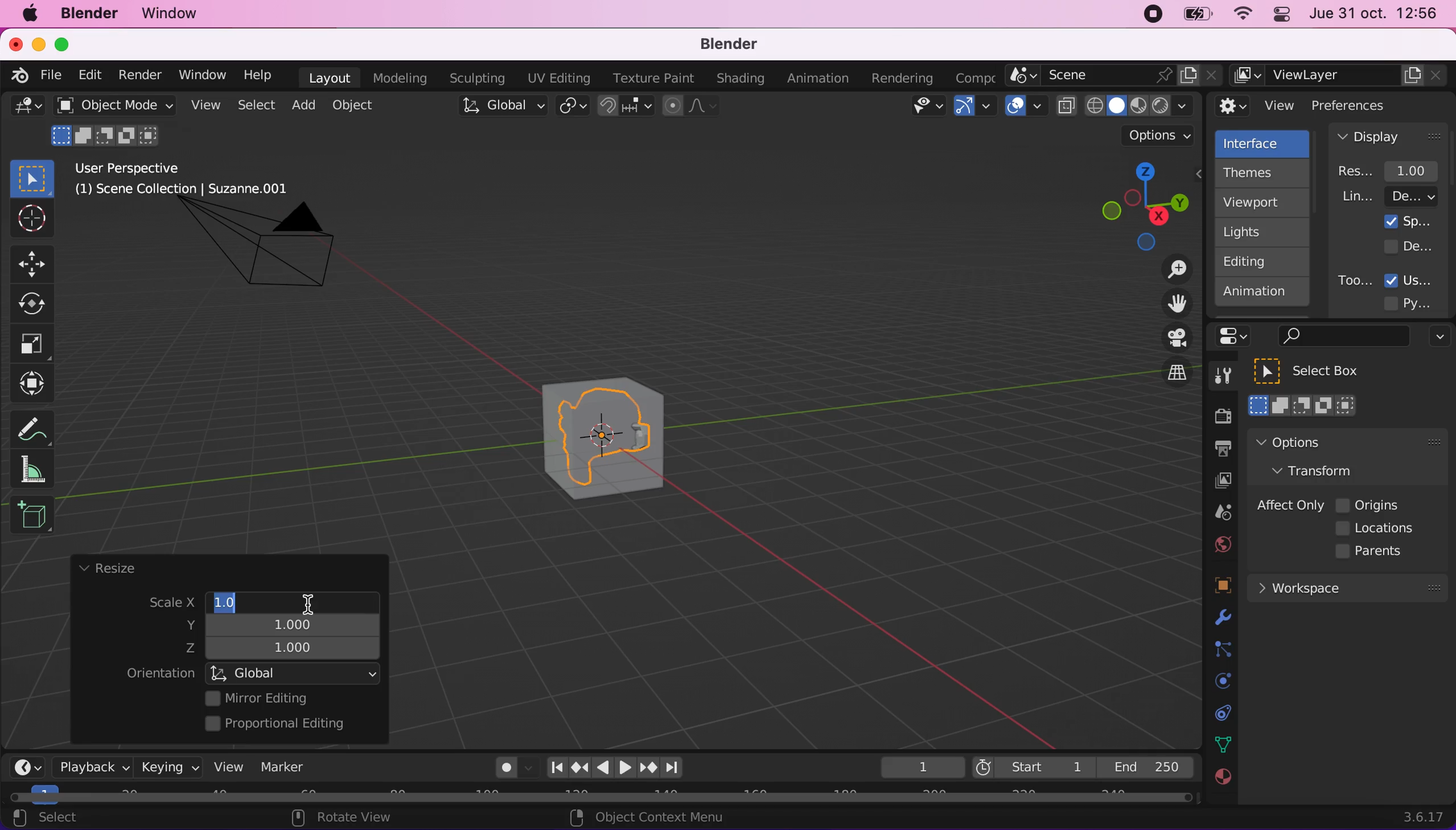 This screenshot has width=1456, height=830. What do you see at coordinates (1394, 170) in the screenshot?
I see `resolution scale` at bounding box center [1394, 170].